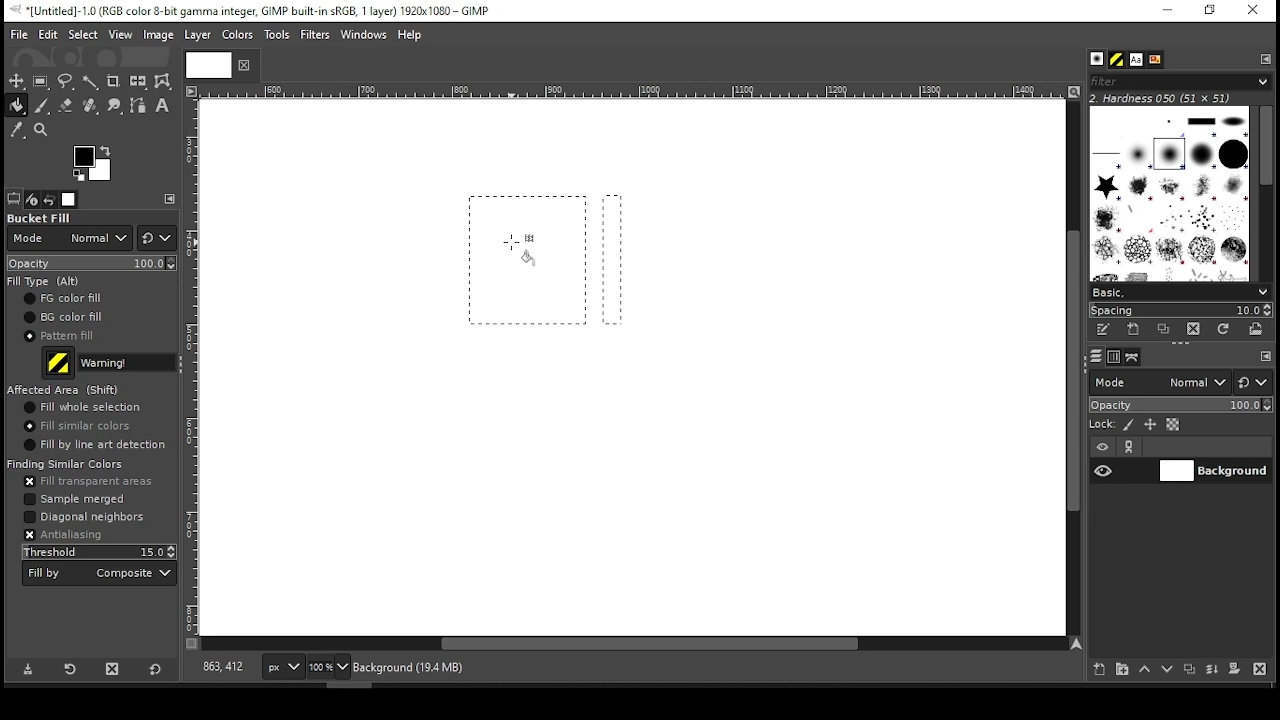 This screenshot has width=1280, height=720. What do you see at coordinates (80, 499) in the screenshot?
I see `sampled merged` at bounding box center [80, 499].